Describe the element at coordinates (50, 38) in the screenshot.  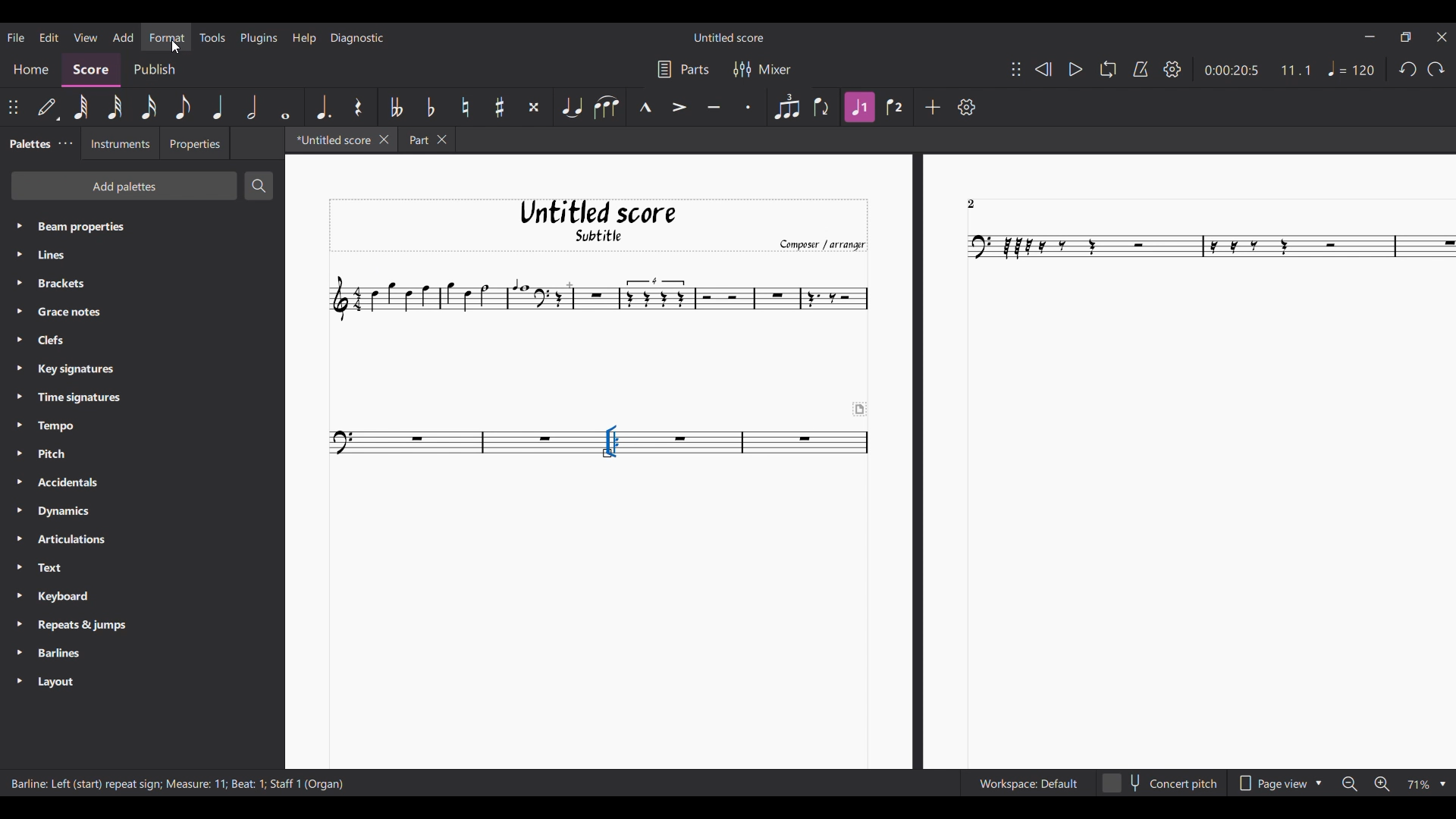
I see `Edit menu` at that location.